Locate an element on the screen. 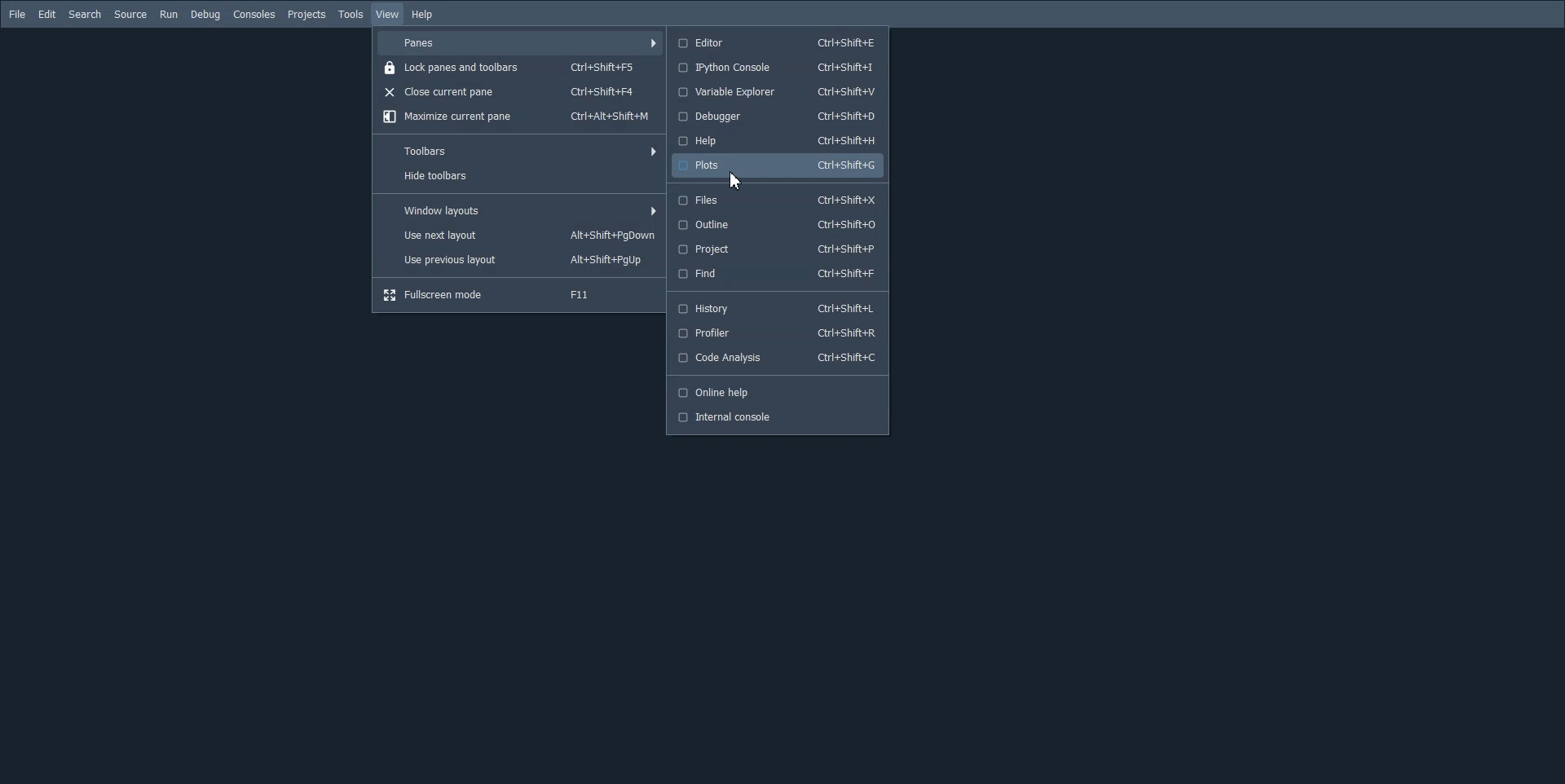 This screenshot has width=1565, height=784. Hide toolbars is located at coordinates (519, 175).